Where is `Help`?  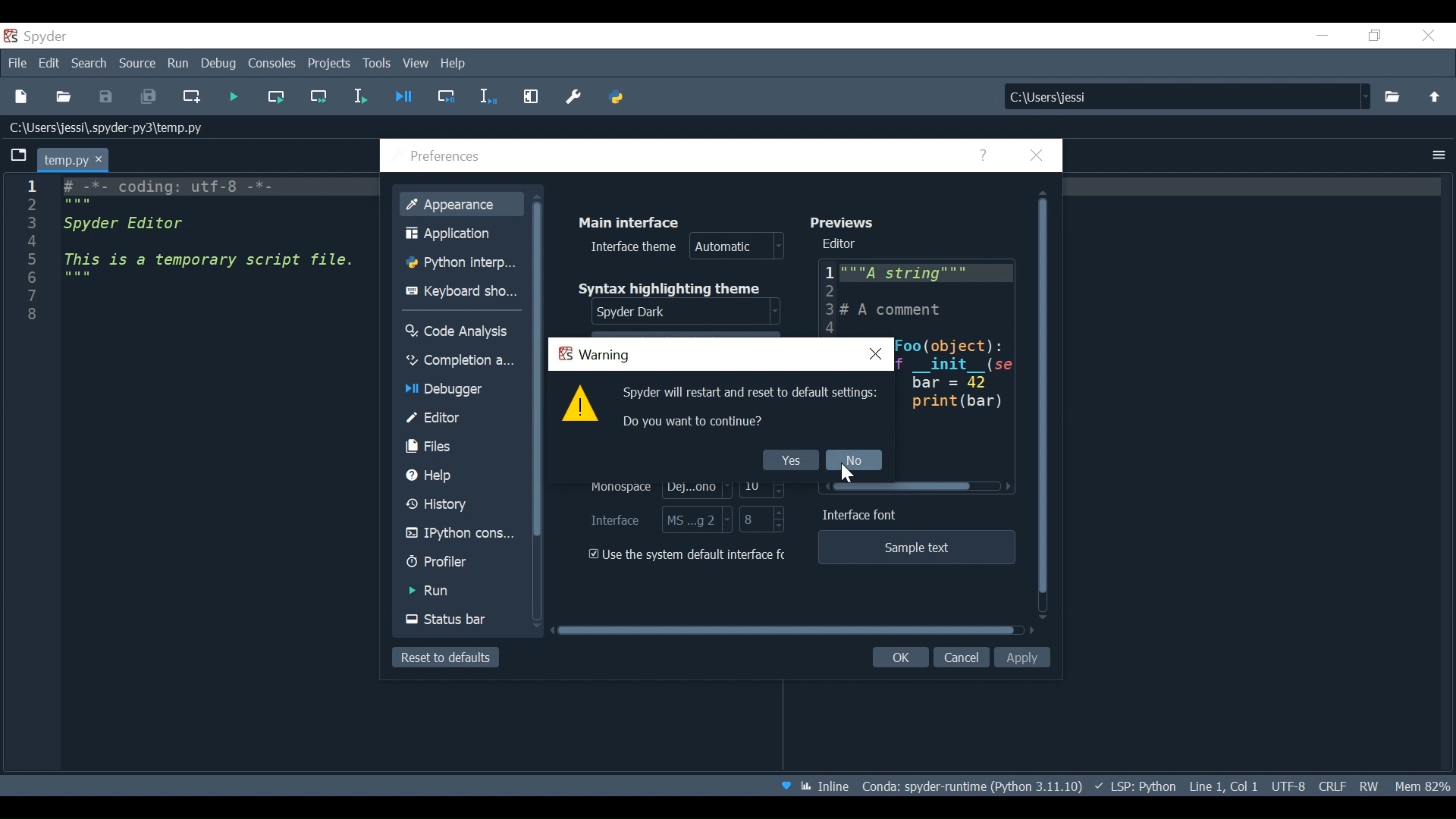
Help is located at coordinates (984, 155).